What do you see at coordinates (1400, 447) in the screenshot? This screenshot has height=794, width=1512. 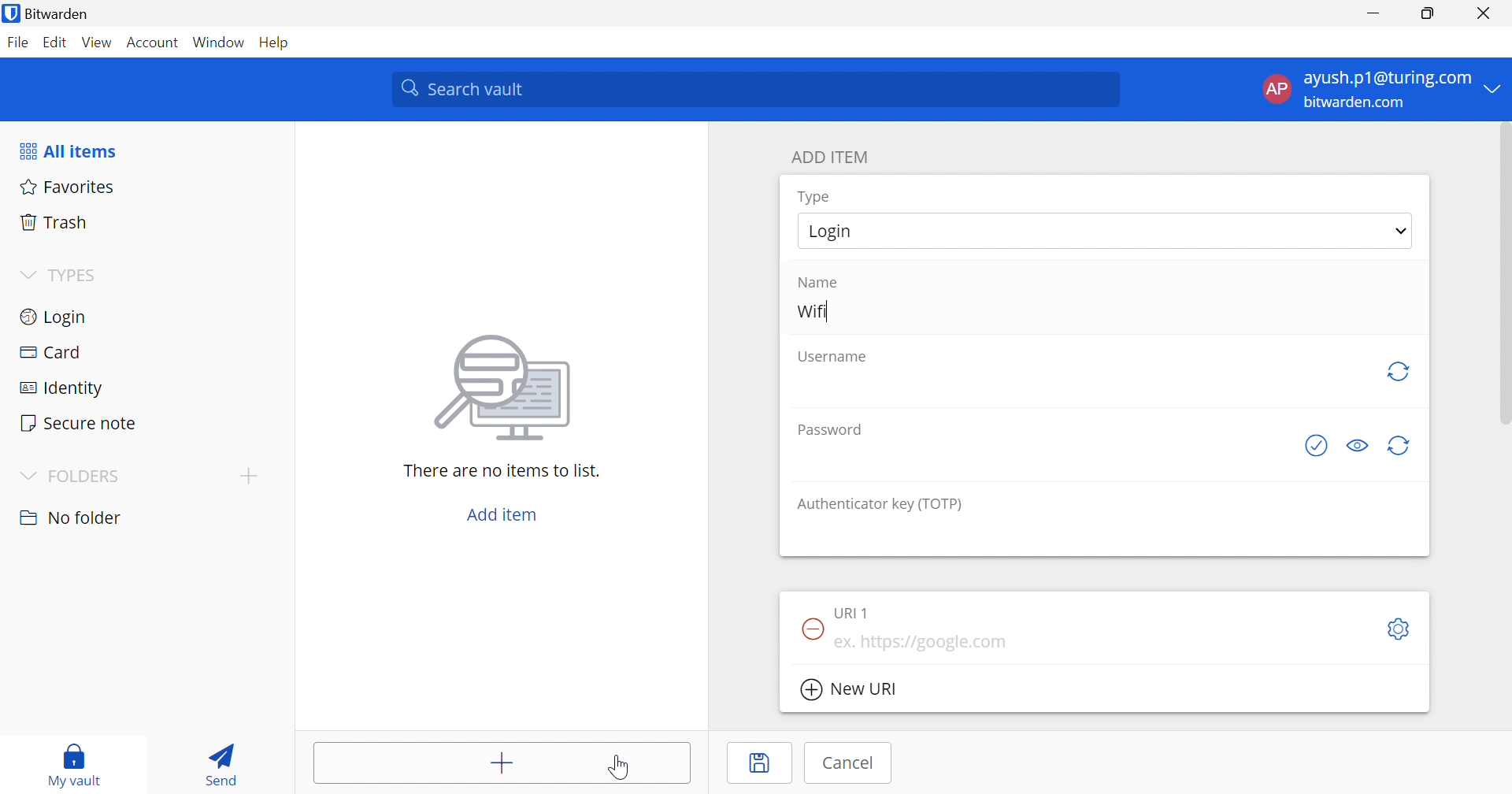 I see `Regenerate password` at bounding box center [1400, 447].